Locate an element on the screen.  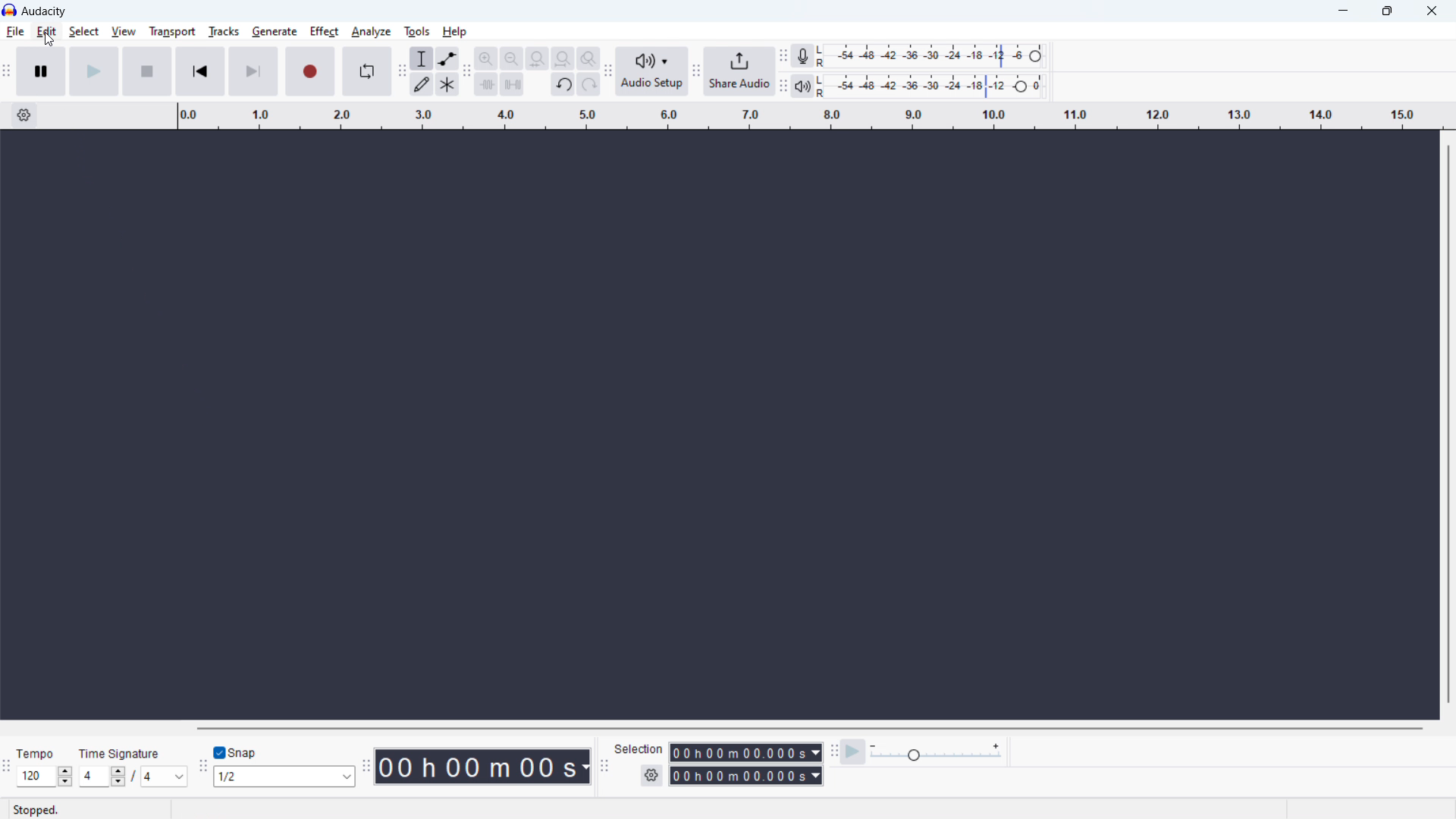
draw tool is located at coordinates (422, 83).